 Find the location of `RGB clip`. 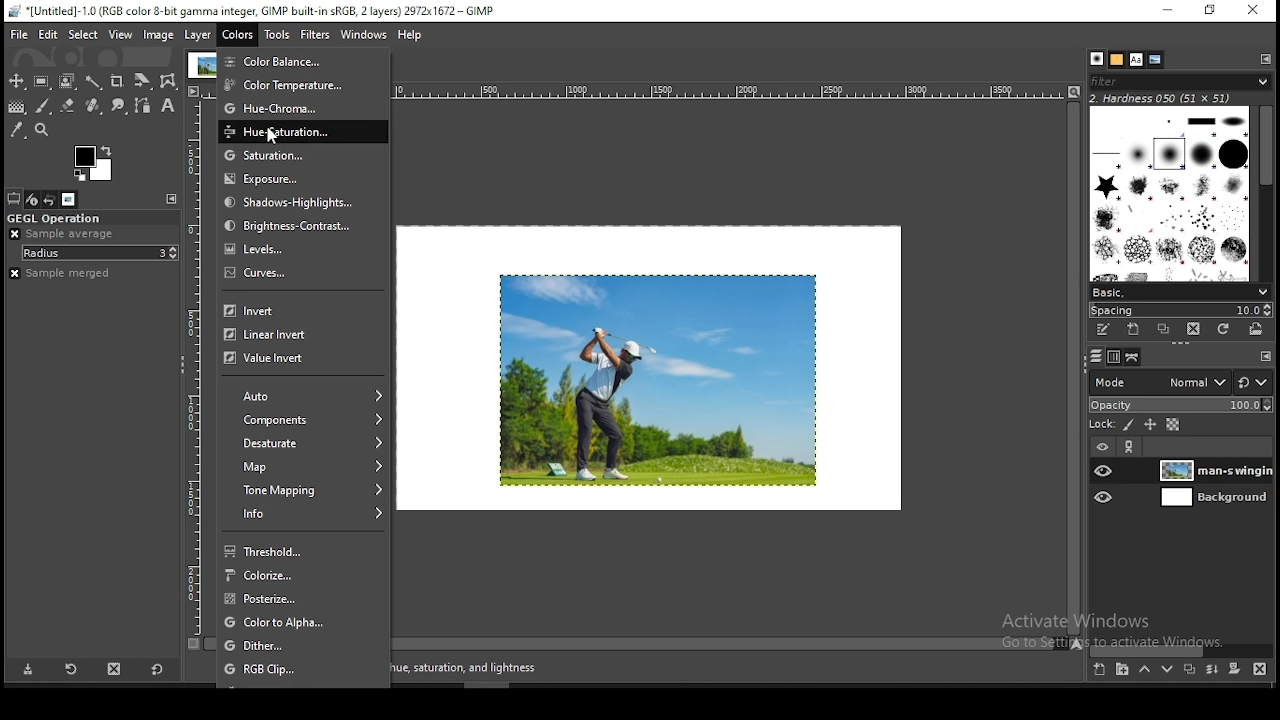

RGB clip is located at coordinates (304, 668).